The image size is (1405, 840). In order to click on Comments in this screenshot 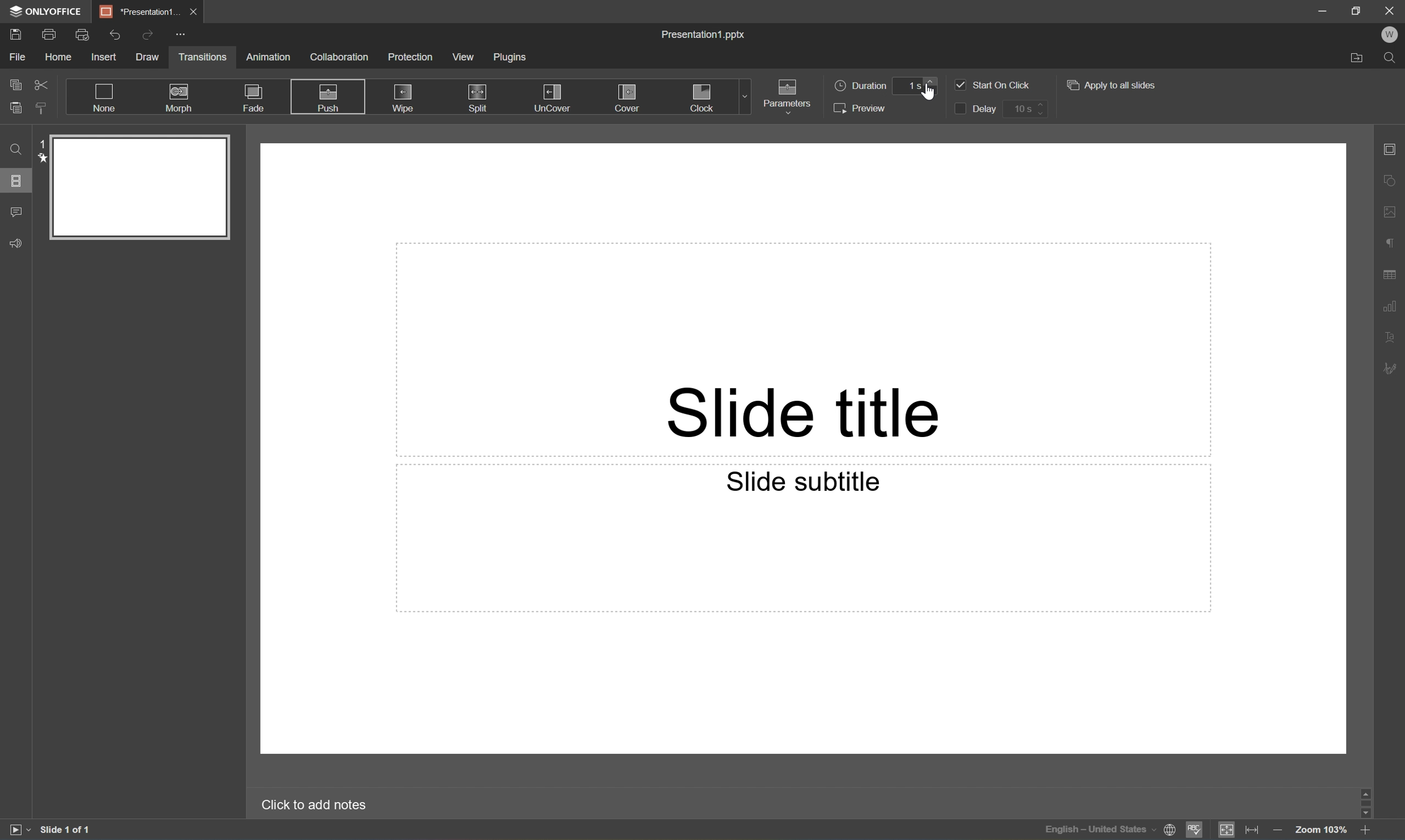, I will do `click(15, 211)`.